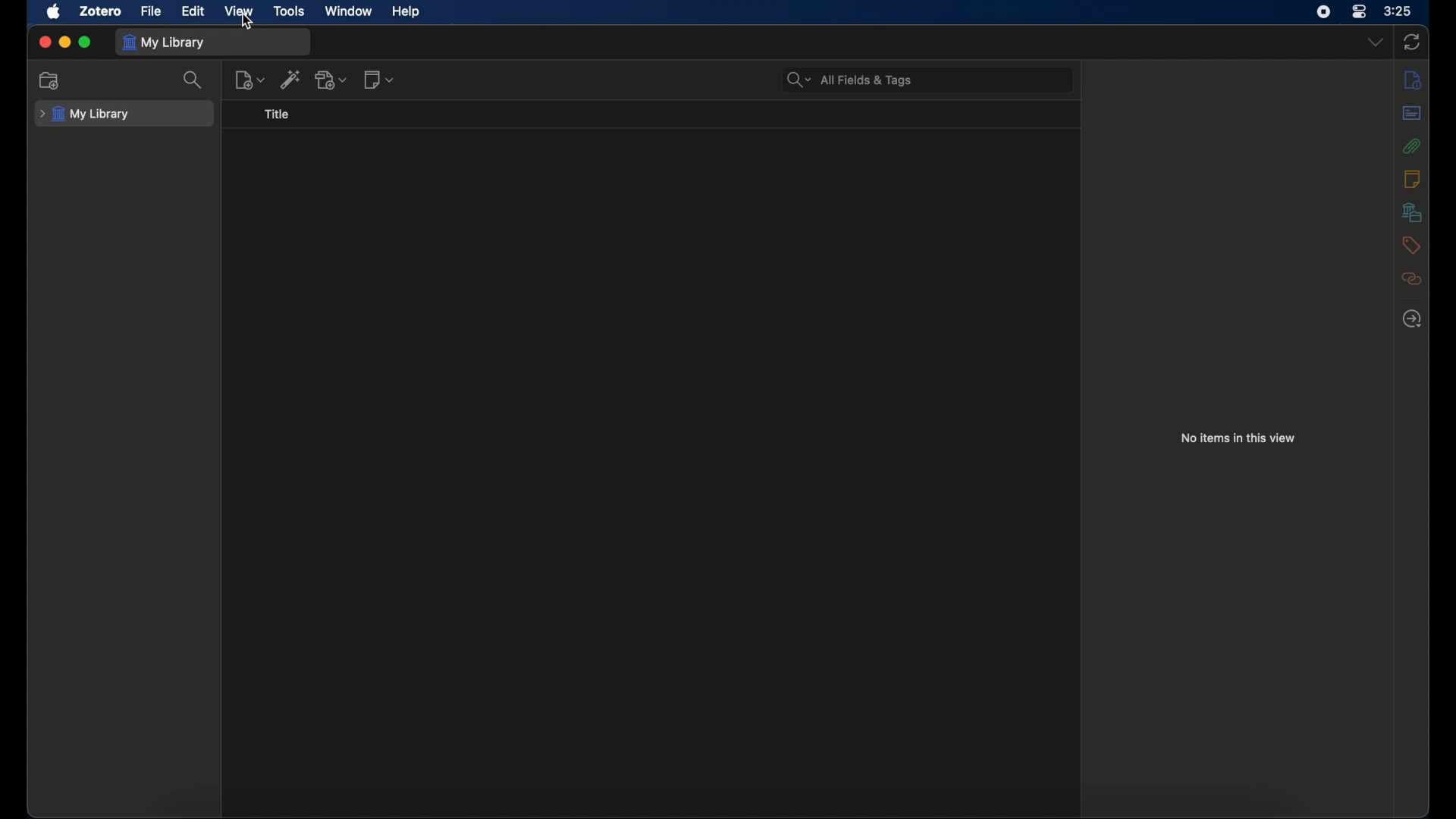  What do you see at coordinates (290, 11) in the screenshot?
I see `tools` at bounding box center [290, 11].